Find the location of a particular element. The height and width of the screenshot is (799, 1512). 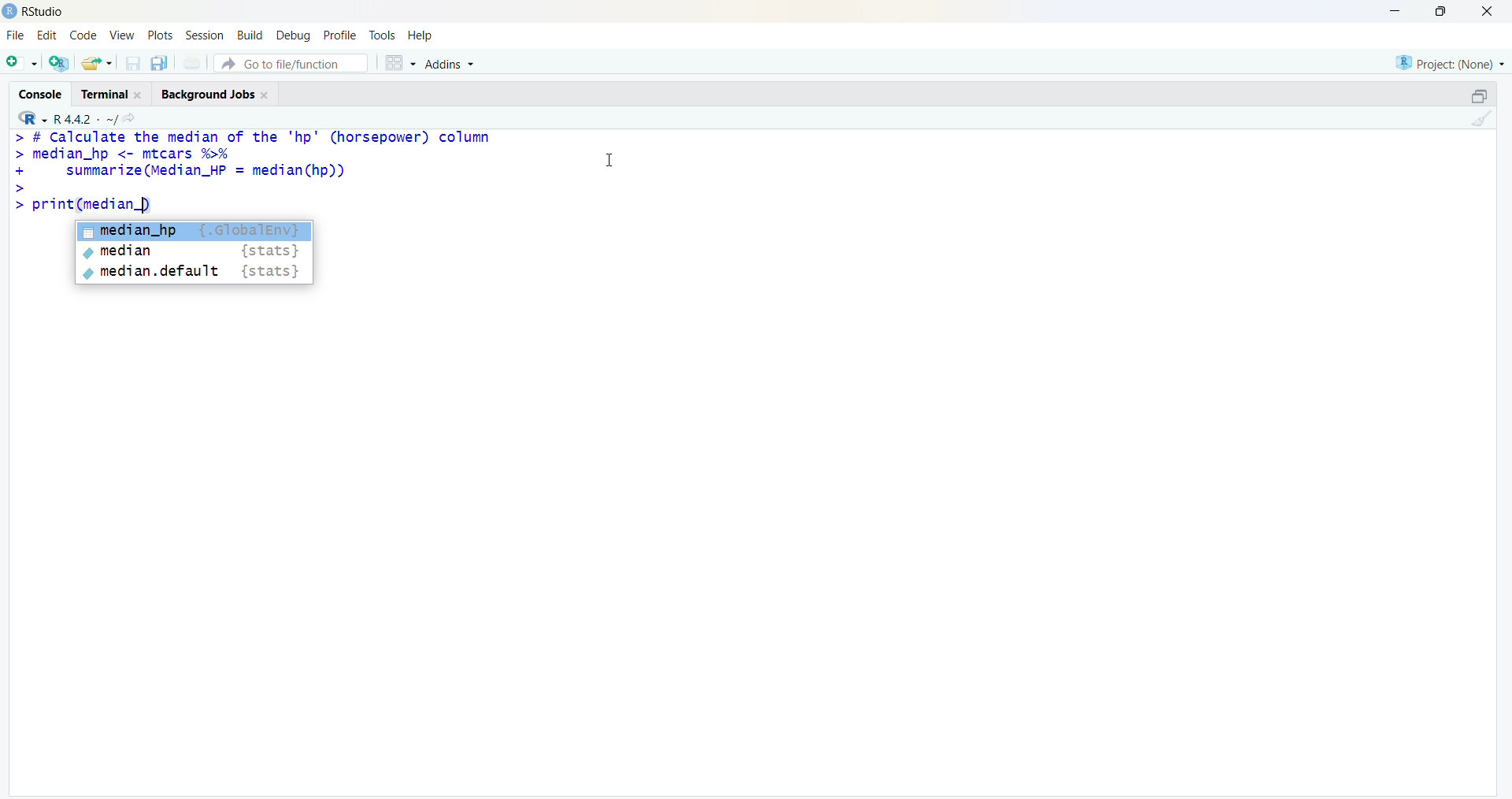

profile is located at coordinates (340, 35).